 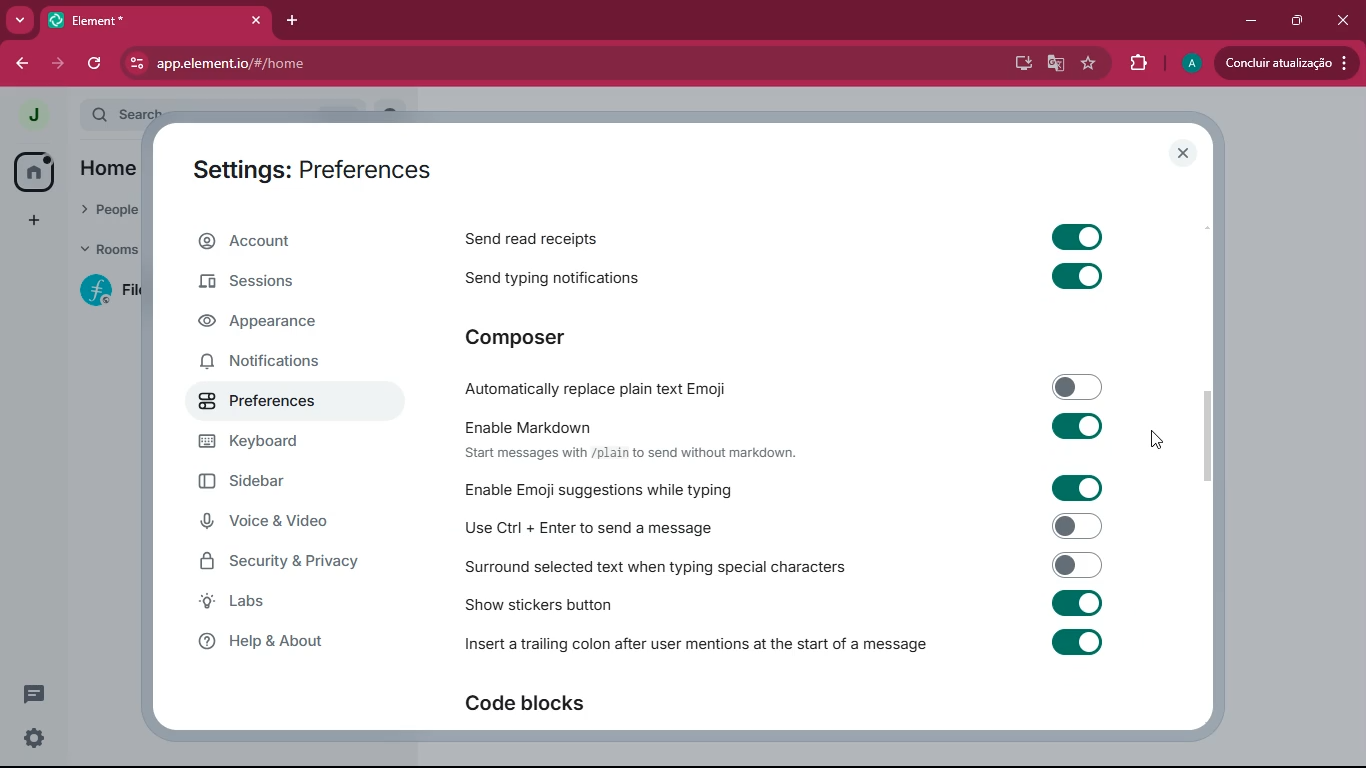 I want to click on automatically replace, so click(x=598, y=387).